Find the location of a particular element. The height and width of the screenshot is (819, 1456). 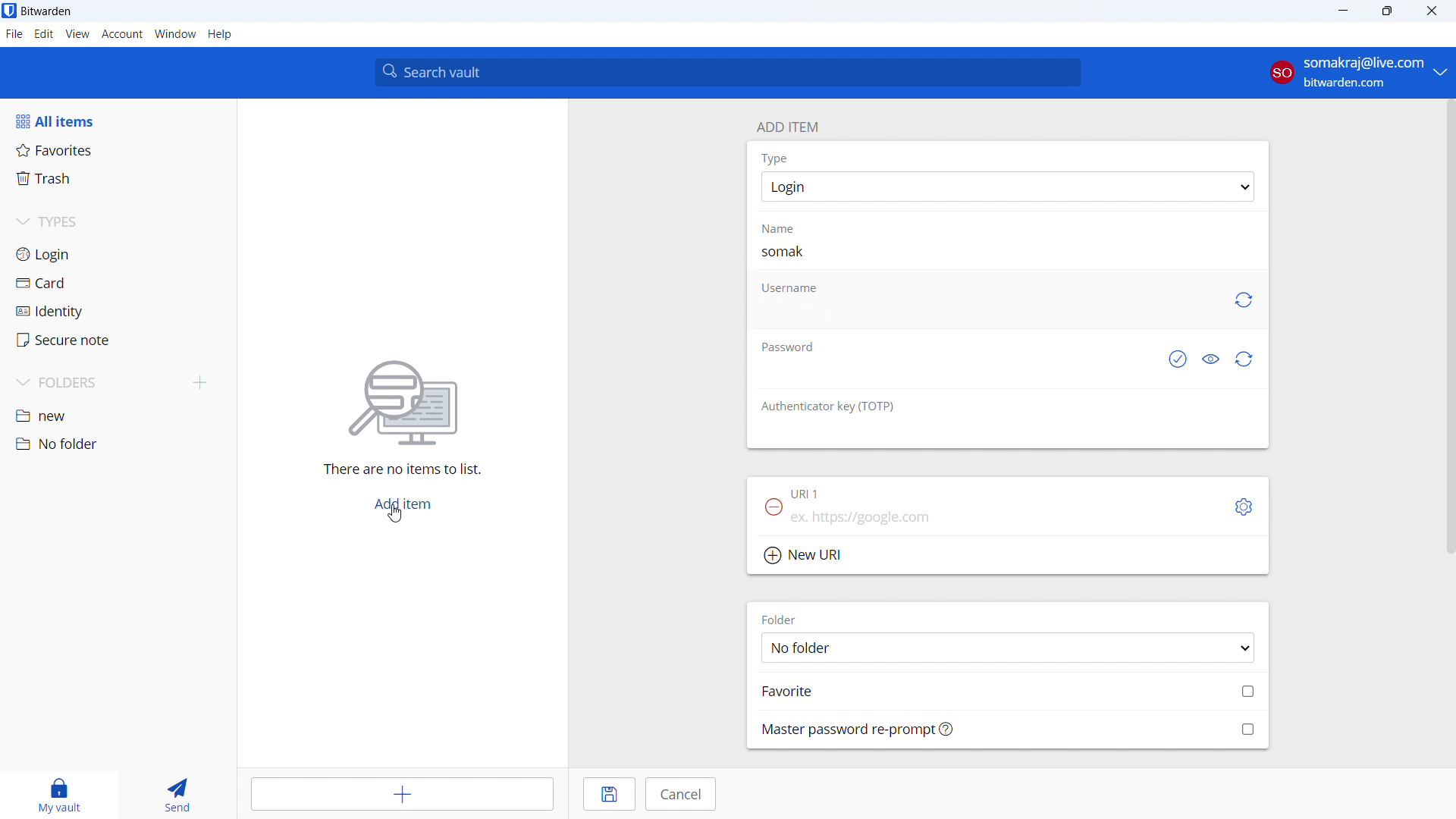

login is located at coordinates (118, 254).